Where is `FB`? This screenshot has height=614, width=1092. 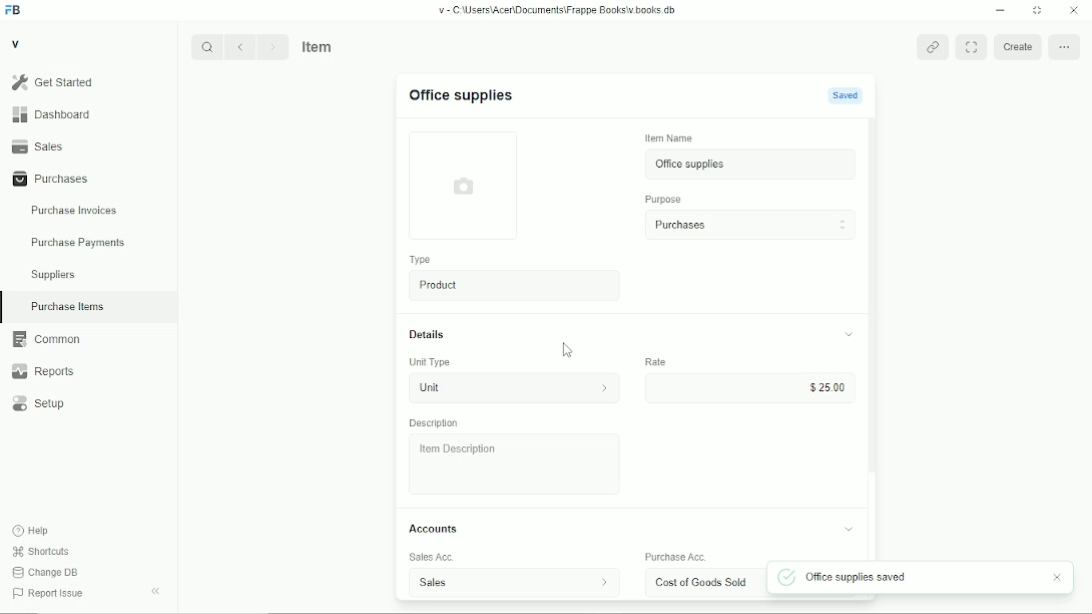
FB is located at coordinates (14, 11).